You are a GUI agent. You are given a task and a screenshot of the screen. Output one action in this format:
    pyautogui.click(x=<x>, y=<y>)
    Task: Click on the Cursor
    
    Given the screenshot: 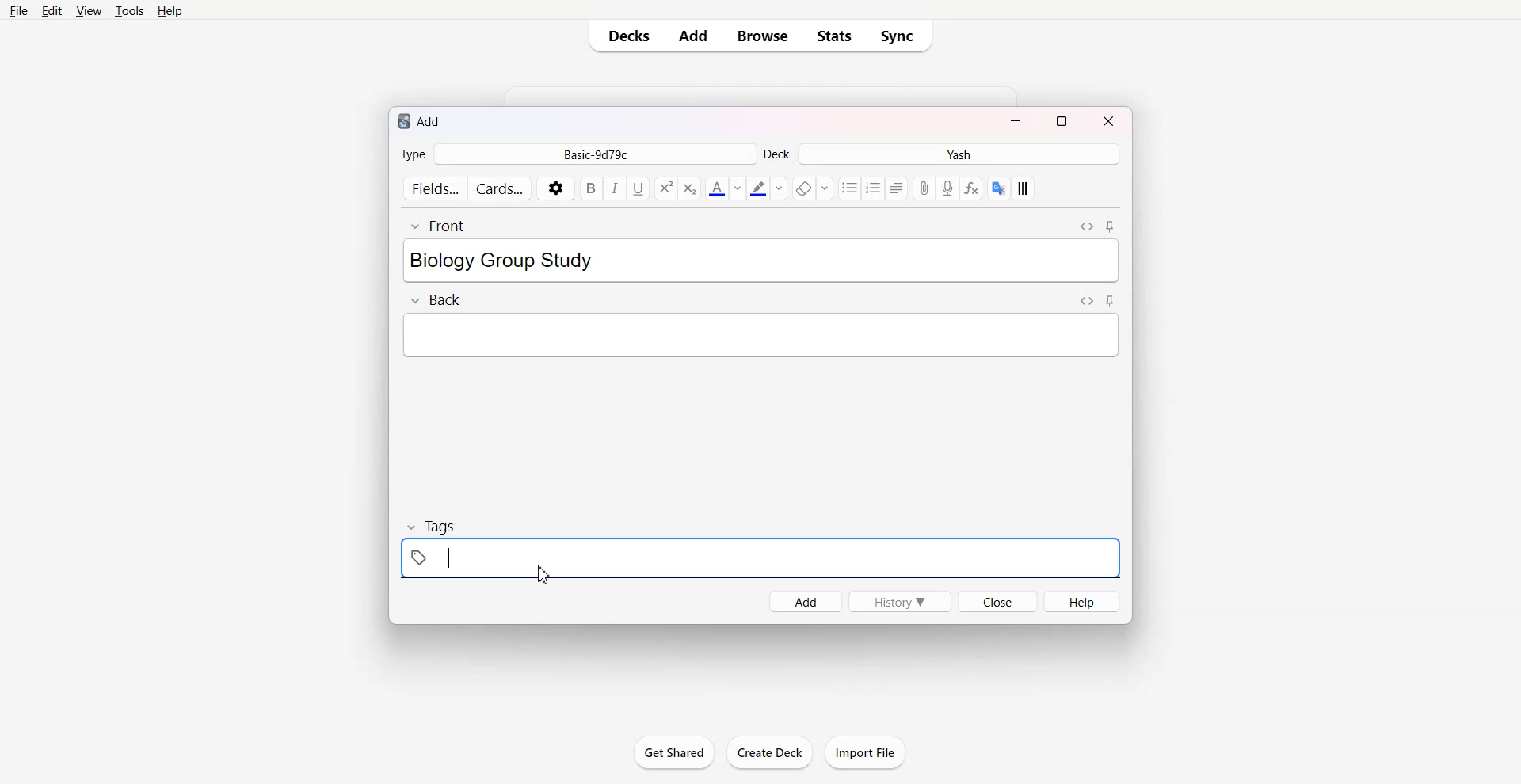 What is the action you would take?
    pyautogui.click(x=544, y=575)
    